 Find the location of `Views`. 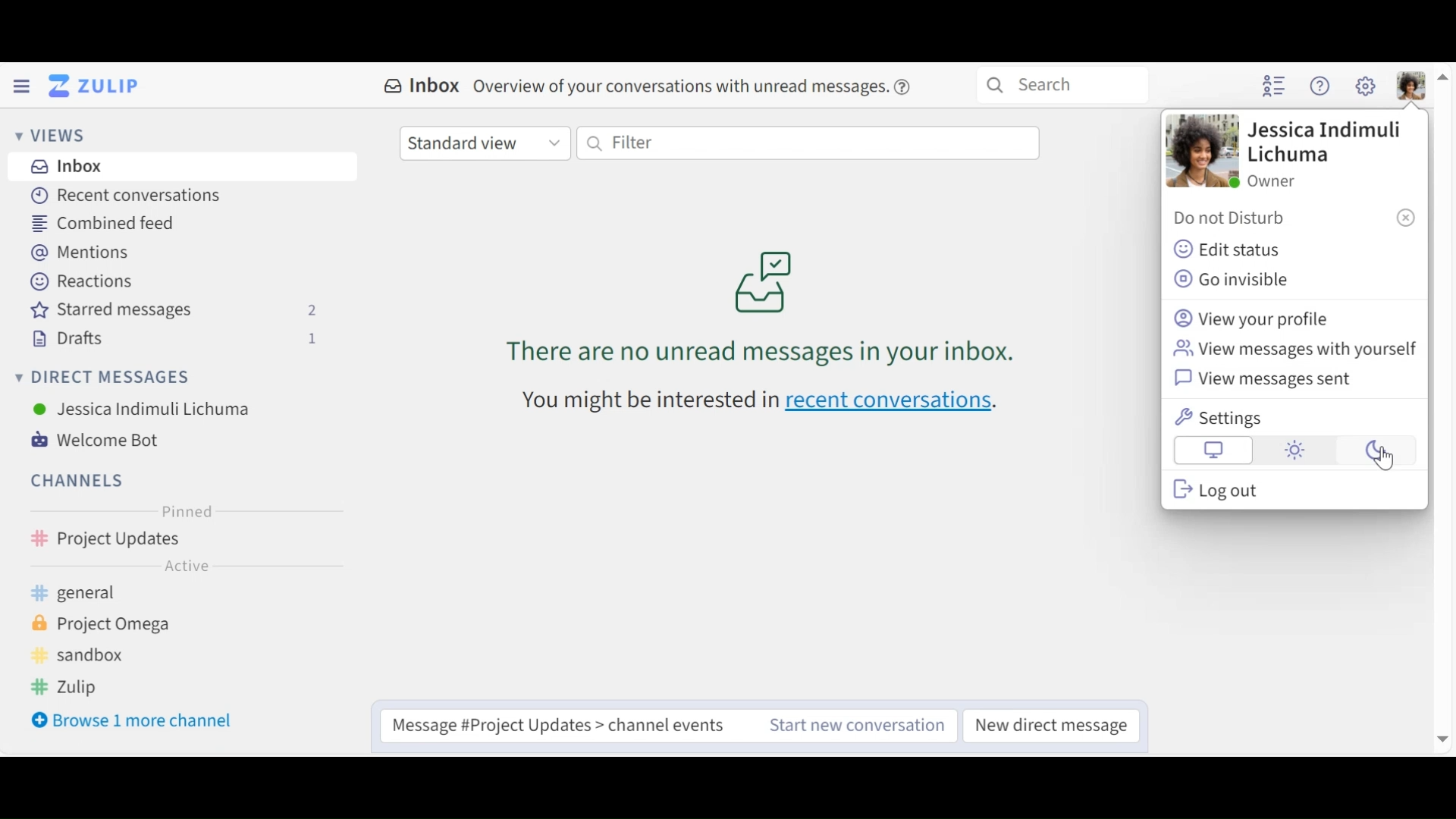

Views is located at coordinates (49, 134).